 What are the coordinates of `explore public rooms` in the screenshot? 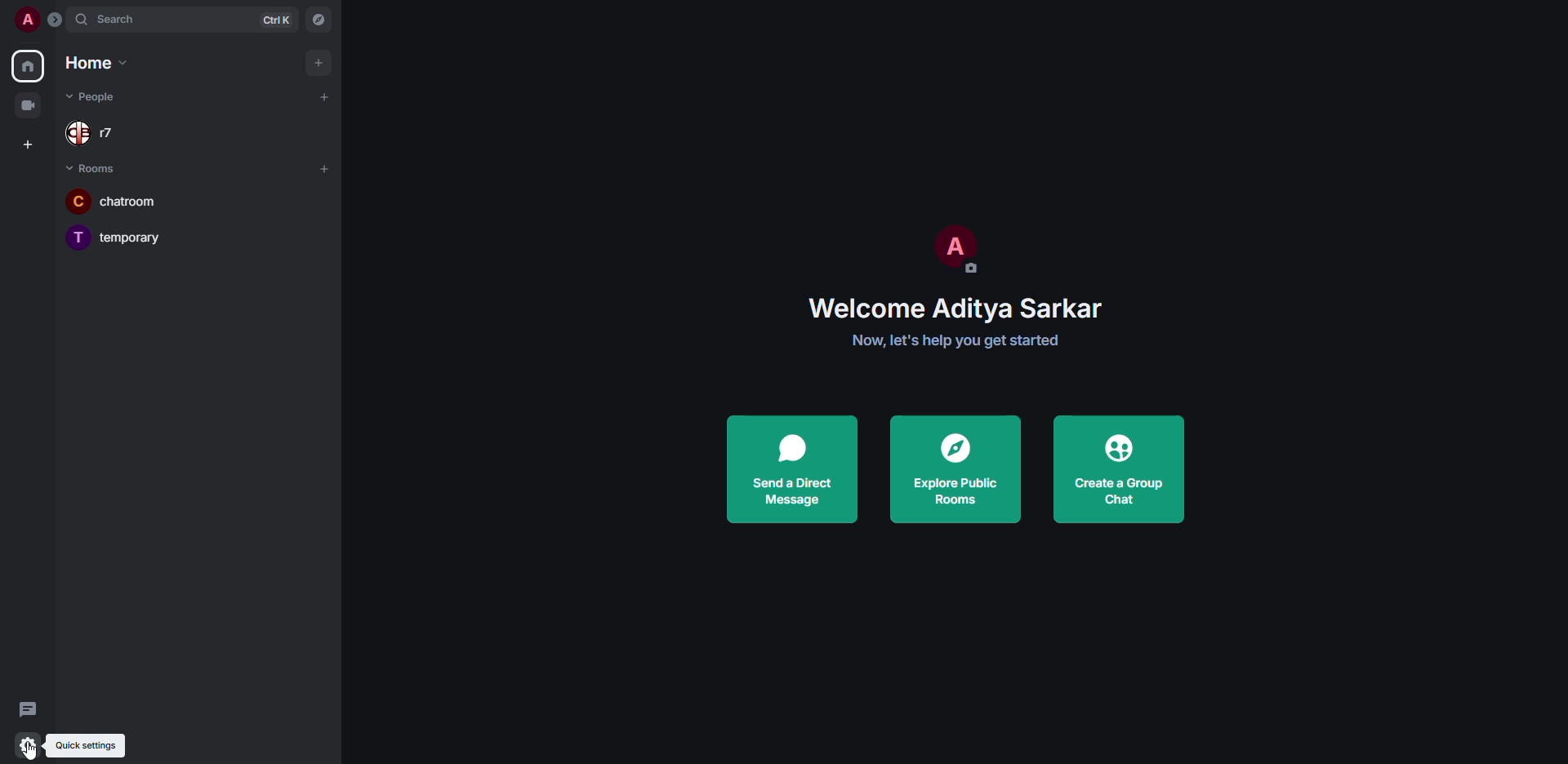 It's located at (959, 466).